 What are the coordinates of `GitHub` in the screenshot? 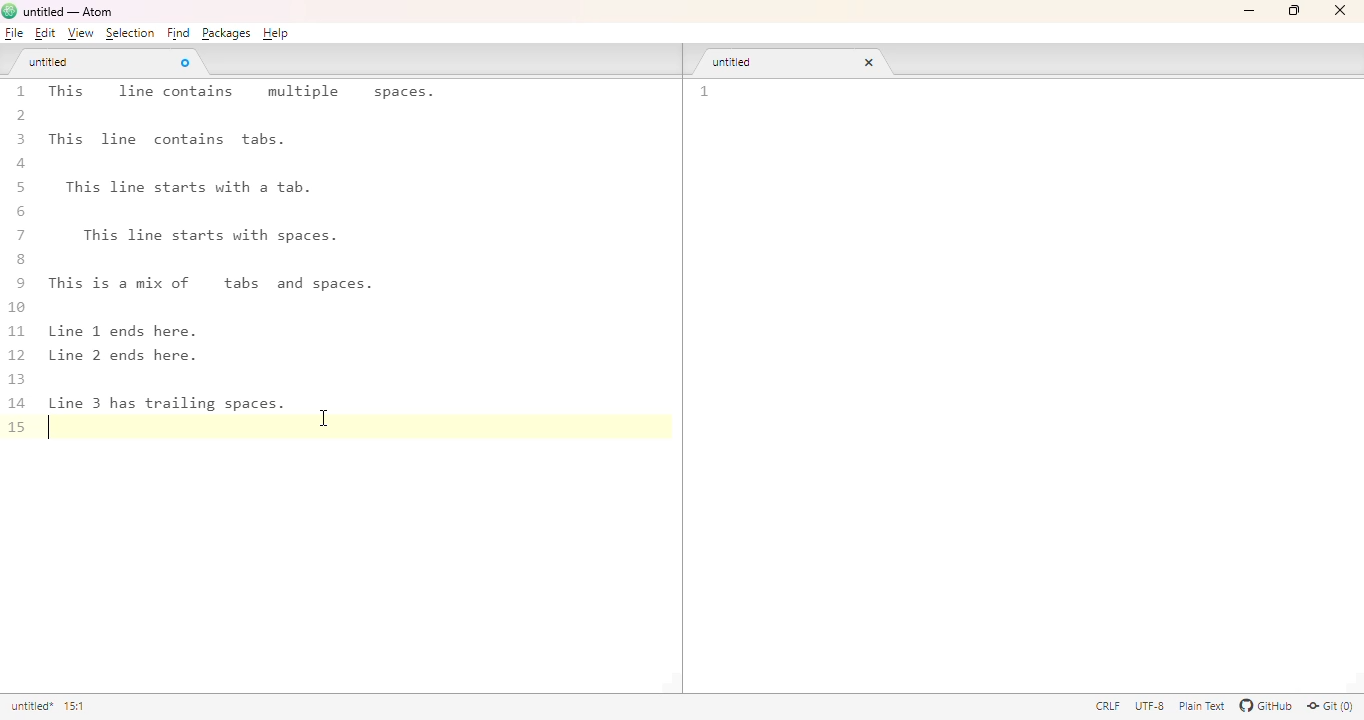 It's located at (1267, 706).